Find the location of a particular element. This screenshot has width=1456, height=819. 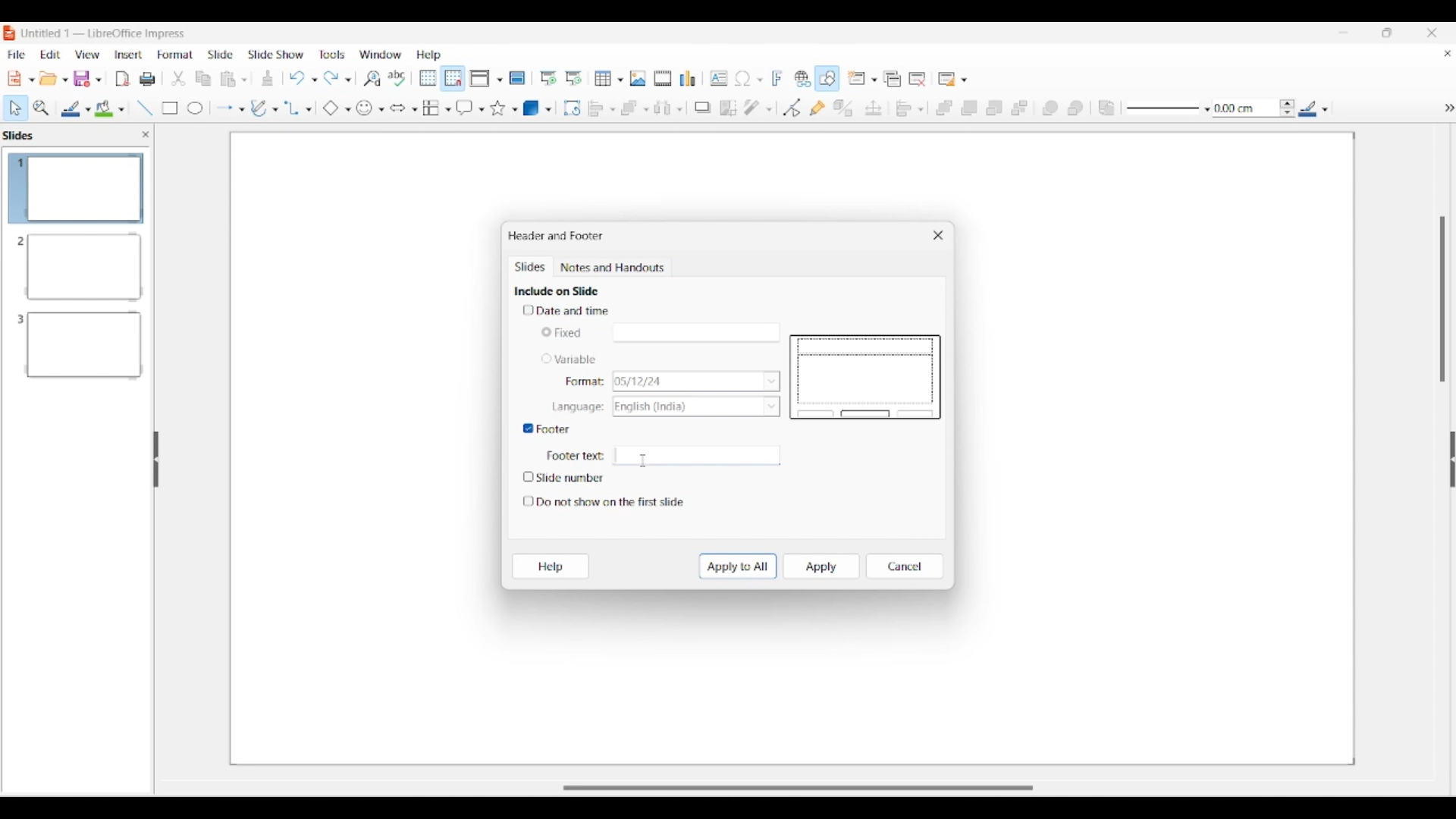

Minimize is located at coordinates (1343, 32).